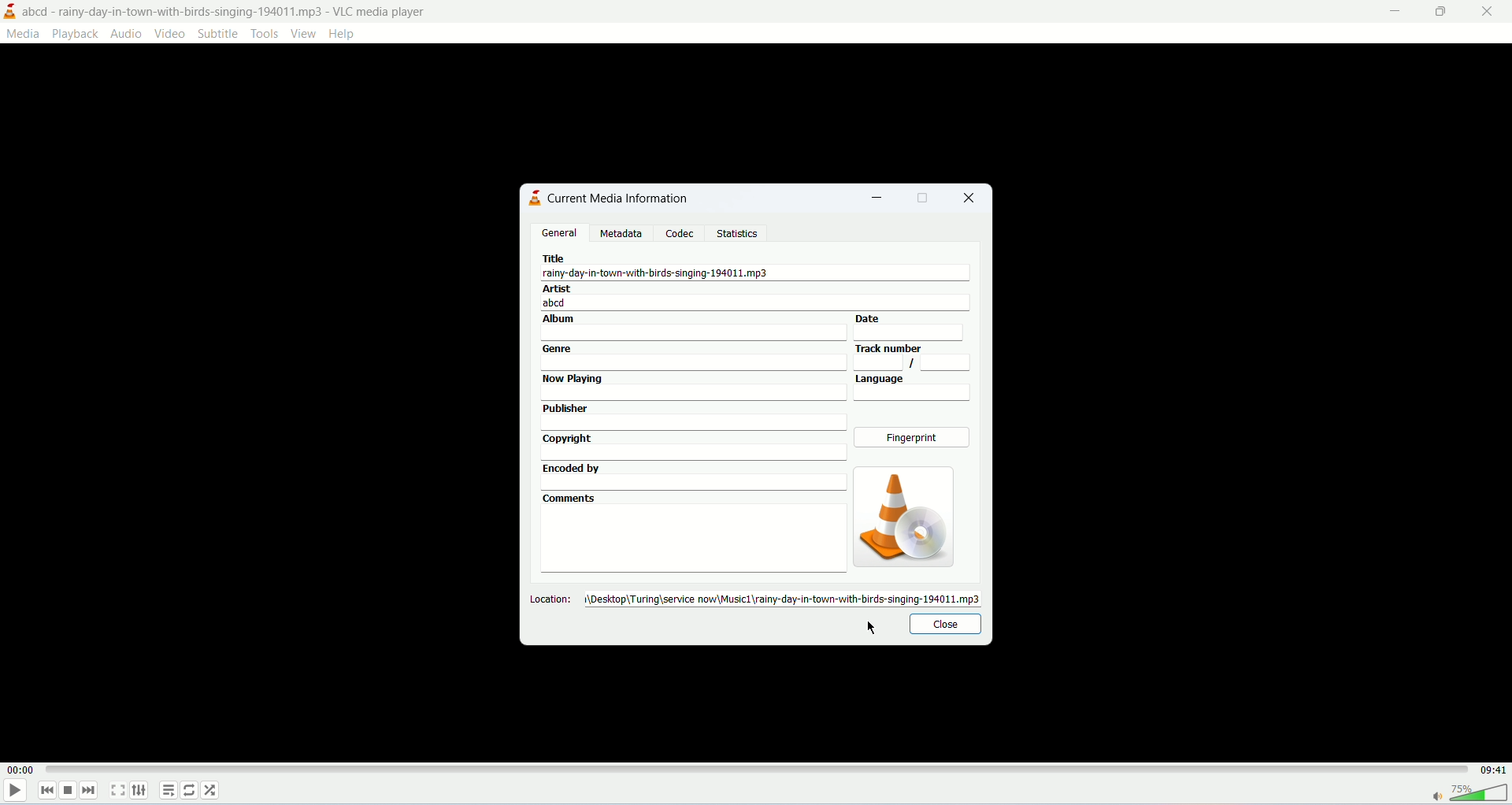 This screenshot has height=805, width=1512. What do you see at coordinates (227, 12) in the screenshot?
I see `title` at bounding box center [227, 12].